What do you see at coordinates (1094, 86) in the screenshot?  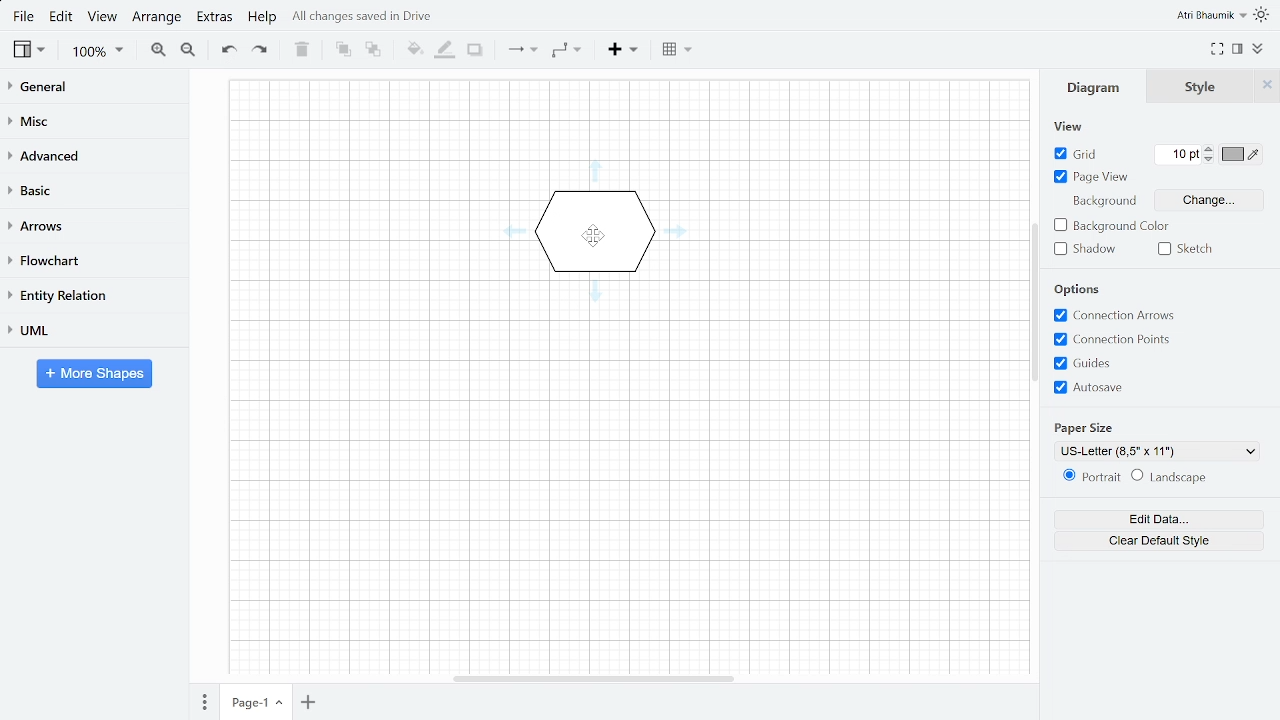 I see `Diagram` at bounding box center [1094, 86].